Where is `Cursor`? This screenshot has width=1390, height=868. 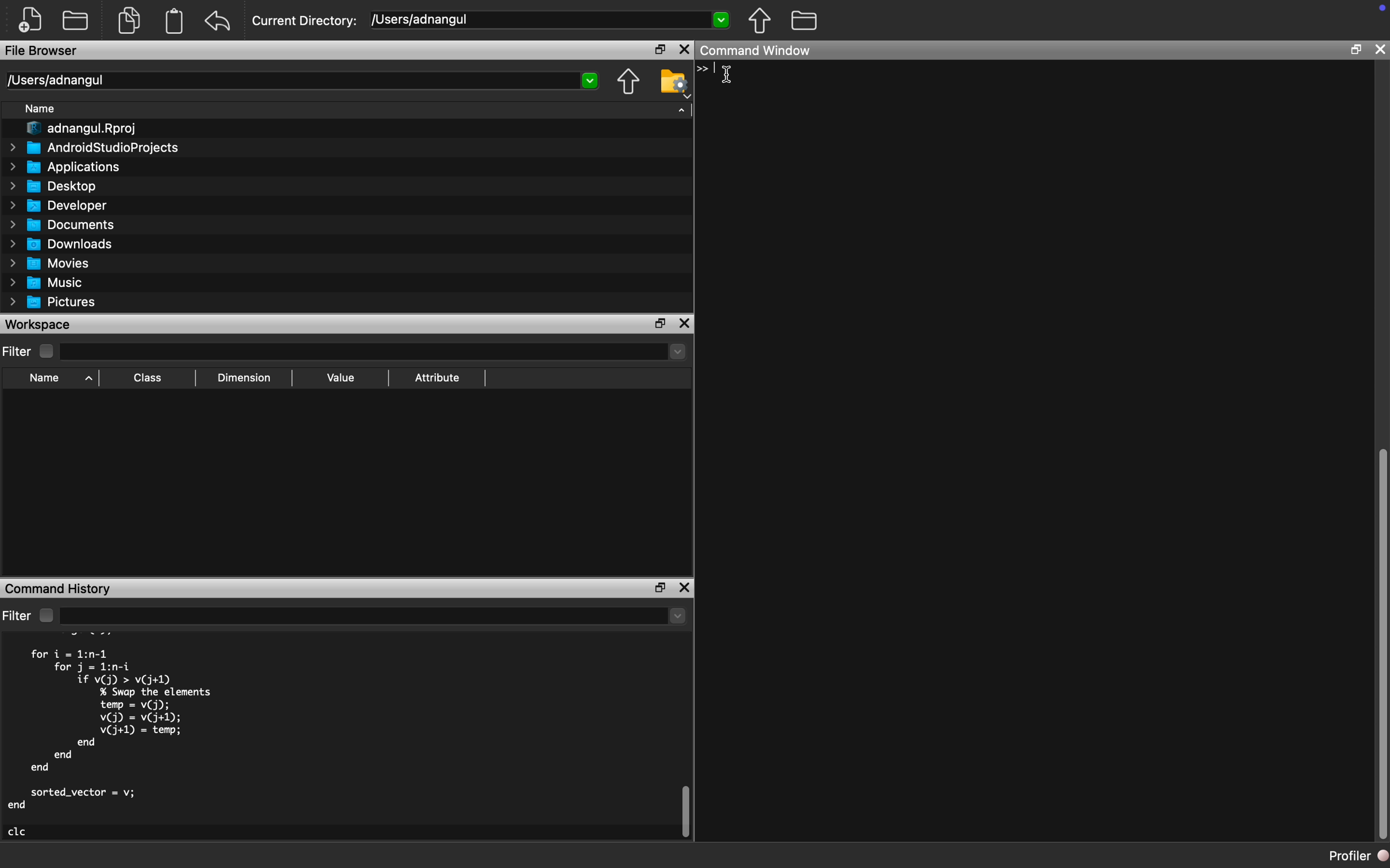 Cursor is located at coordinates (731, 75).